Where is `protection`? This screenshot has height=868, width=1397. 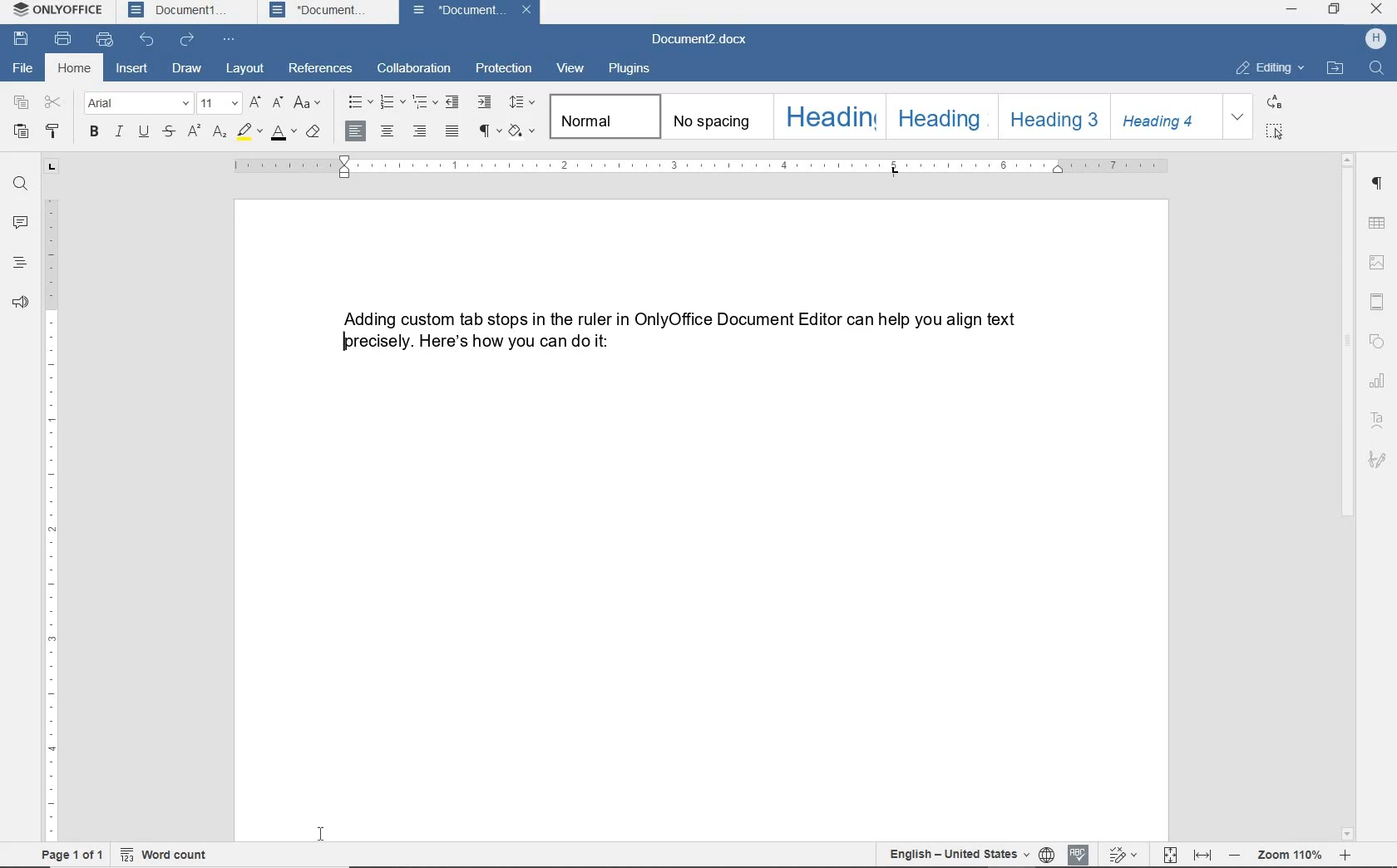
protection is located at coordinates (502, 69).